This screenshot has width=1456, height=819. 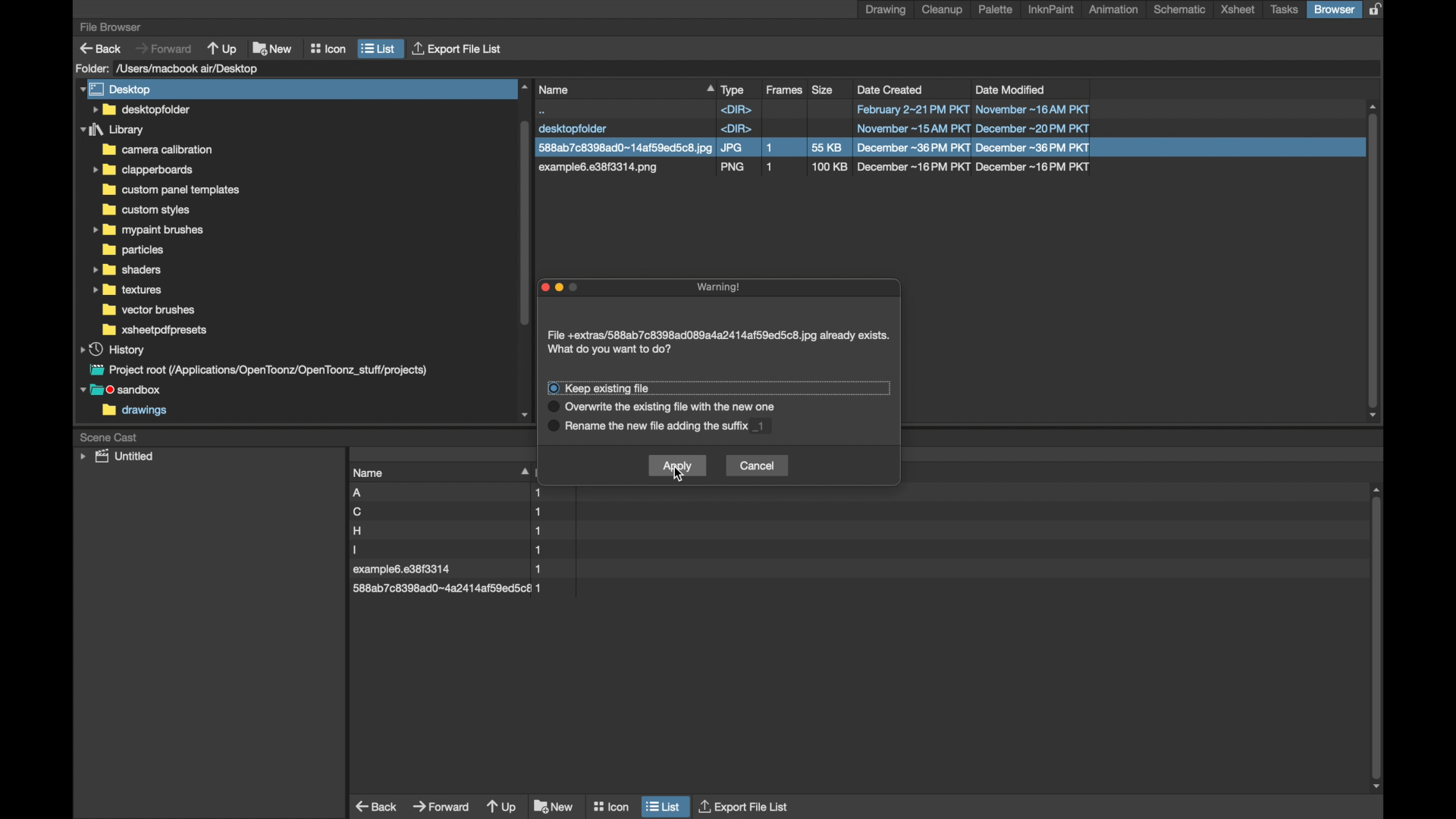 What do you see at coordinates (135, 412) in the screenshot?
I see `drawings` at bounding box center [135, 412].